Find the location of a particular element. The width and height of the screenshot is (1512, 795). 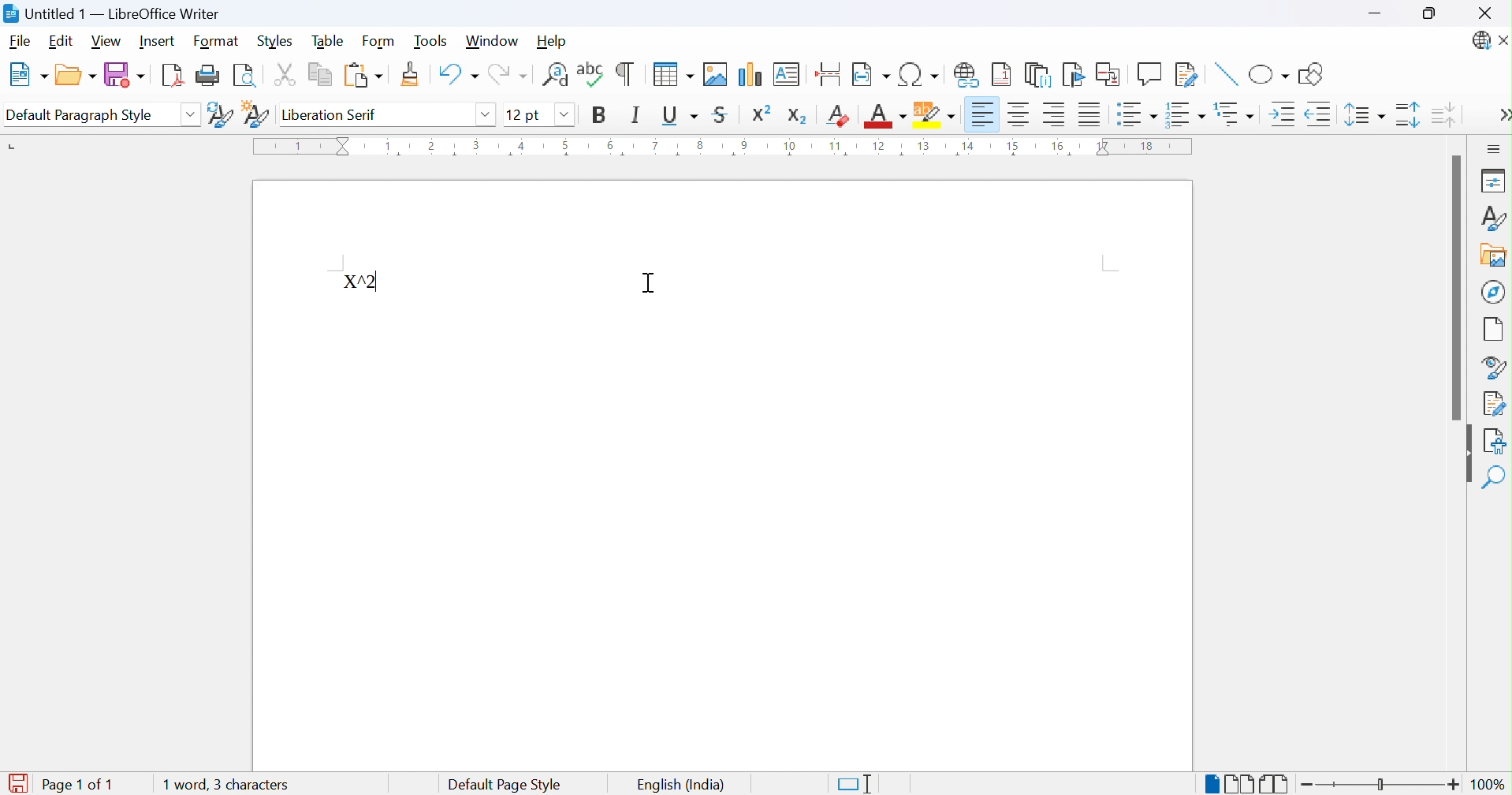

100% is located at coordinates (1488, 785).